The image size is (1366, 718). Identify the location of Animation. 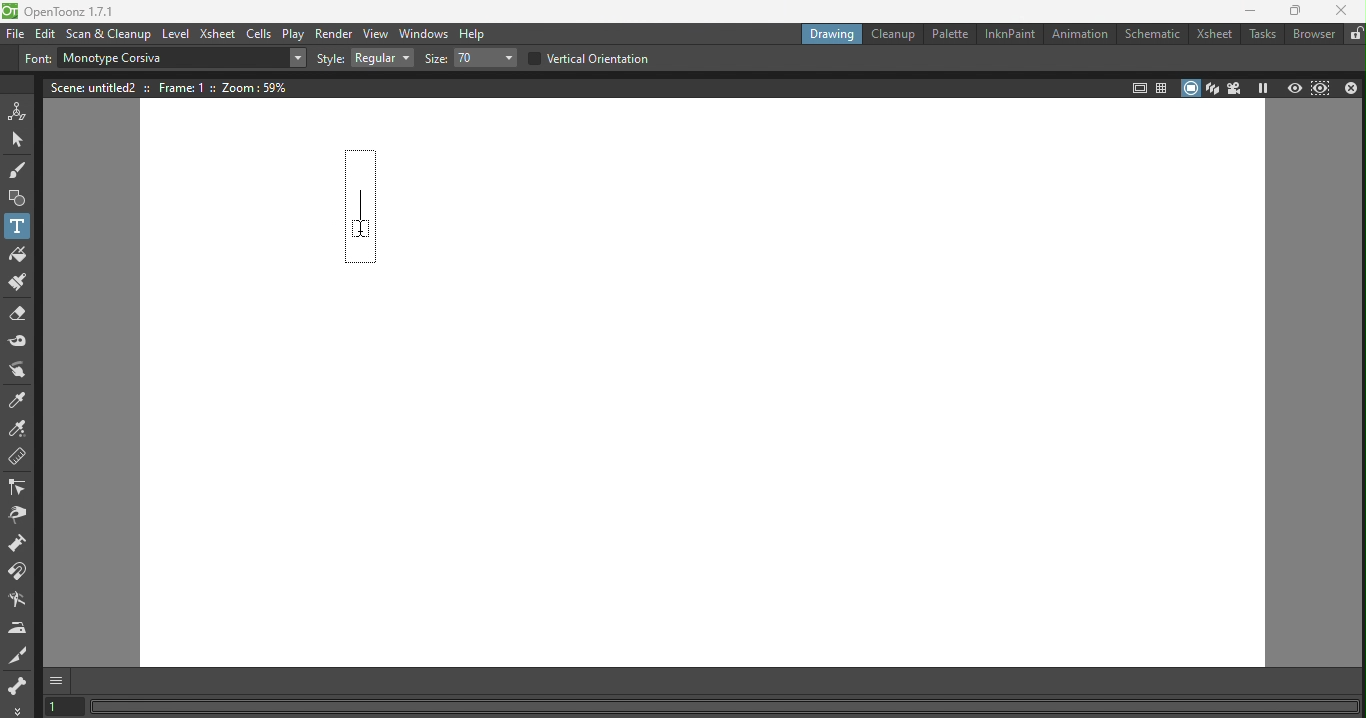
(1082, 34).